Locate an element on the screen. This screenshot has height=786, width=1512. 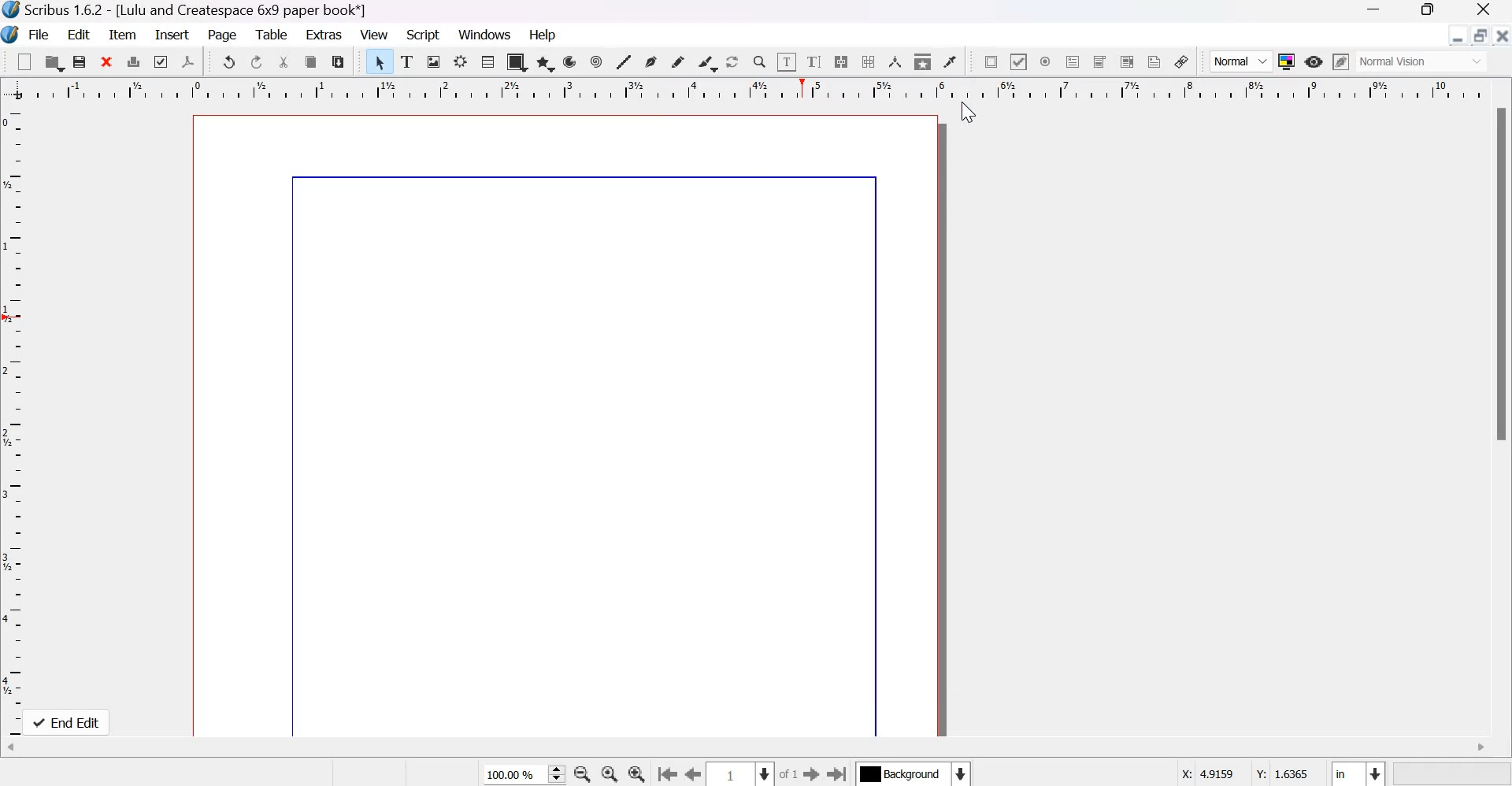
Item is located at coordinates (124, 34).